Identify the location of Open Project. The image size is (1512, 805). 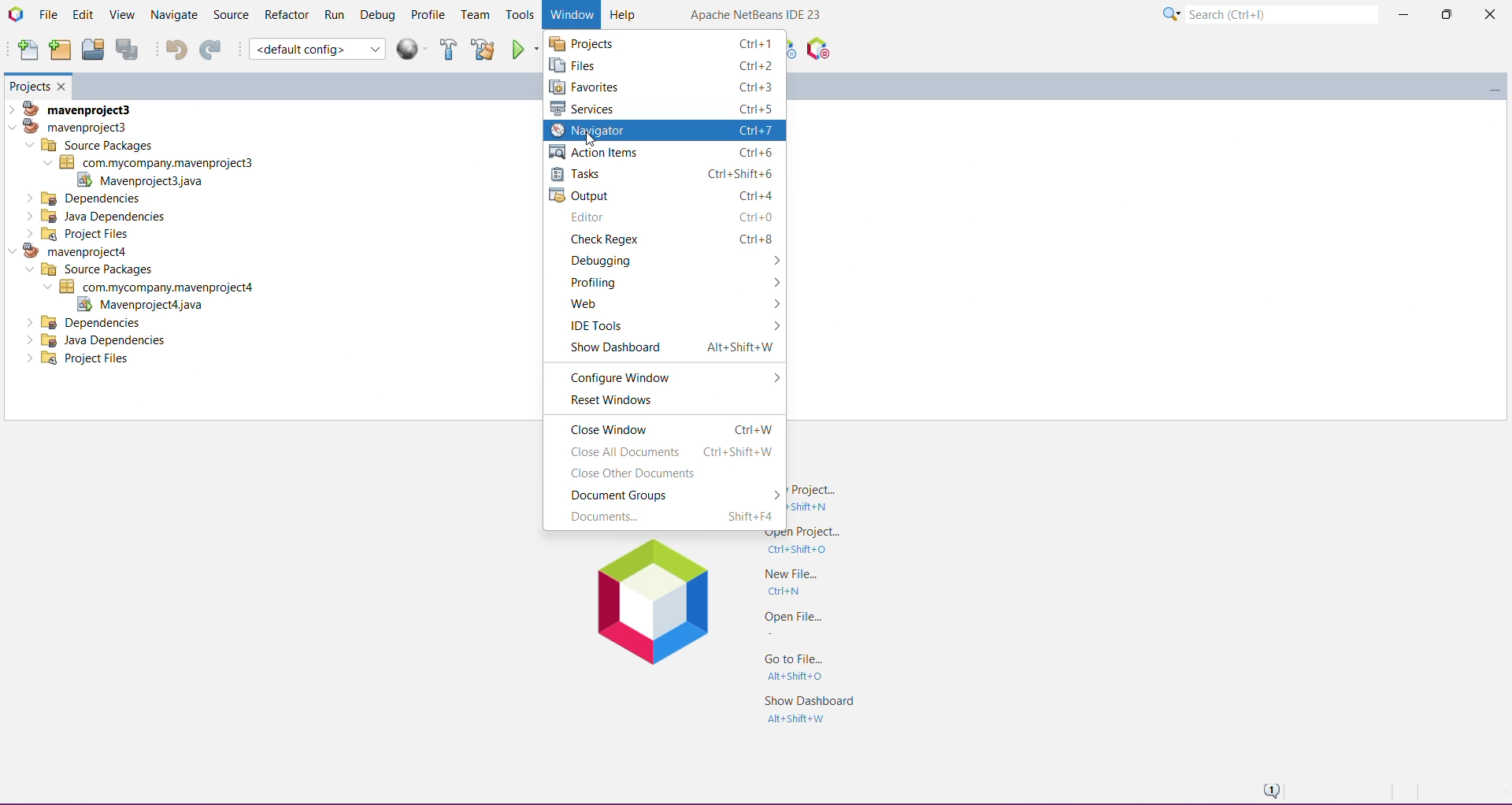
(92, 49).